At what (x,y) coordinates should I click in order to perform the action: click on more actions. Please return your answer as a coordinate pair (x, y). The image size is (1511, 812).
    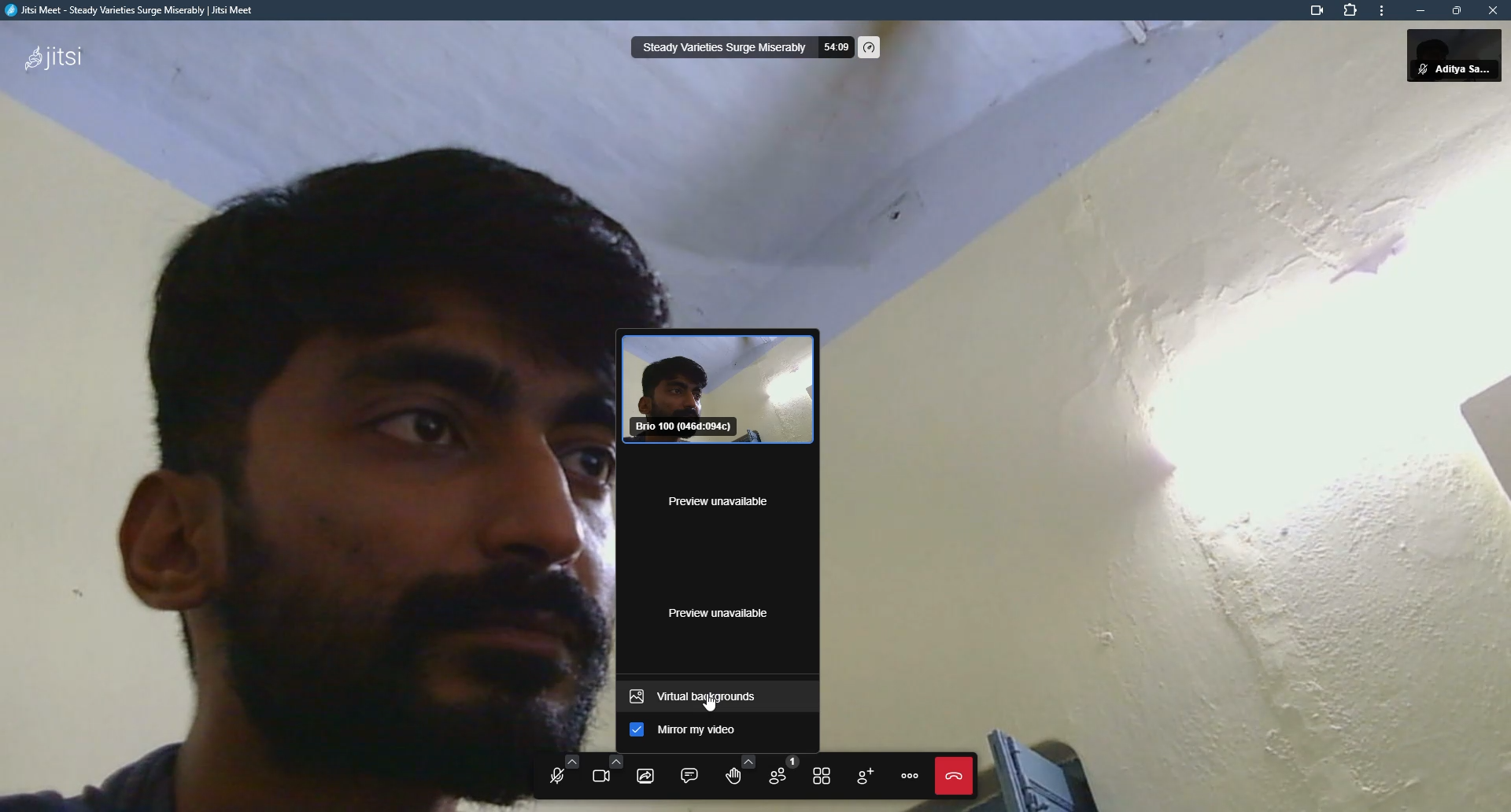
    Looking at the image, I should click on (910, 776).